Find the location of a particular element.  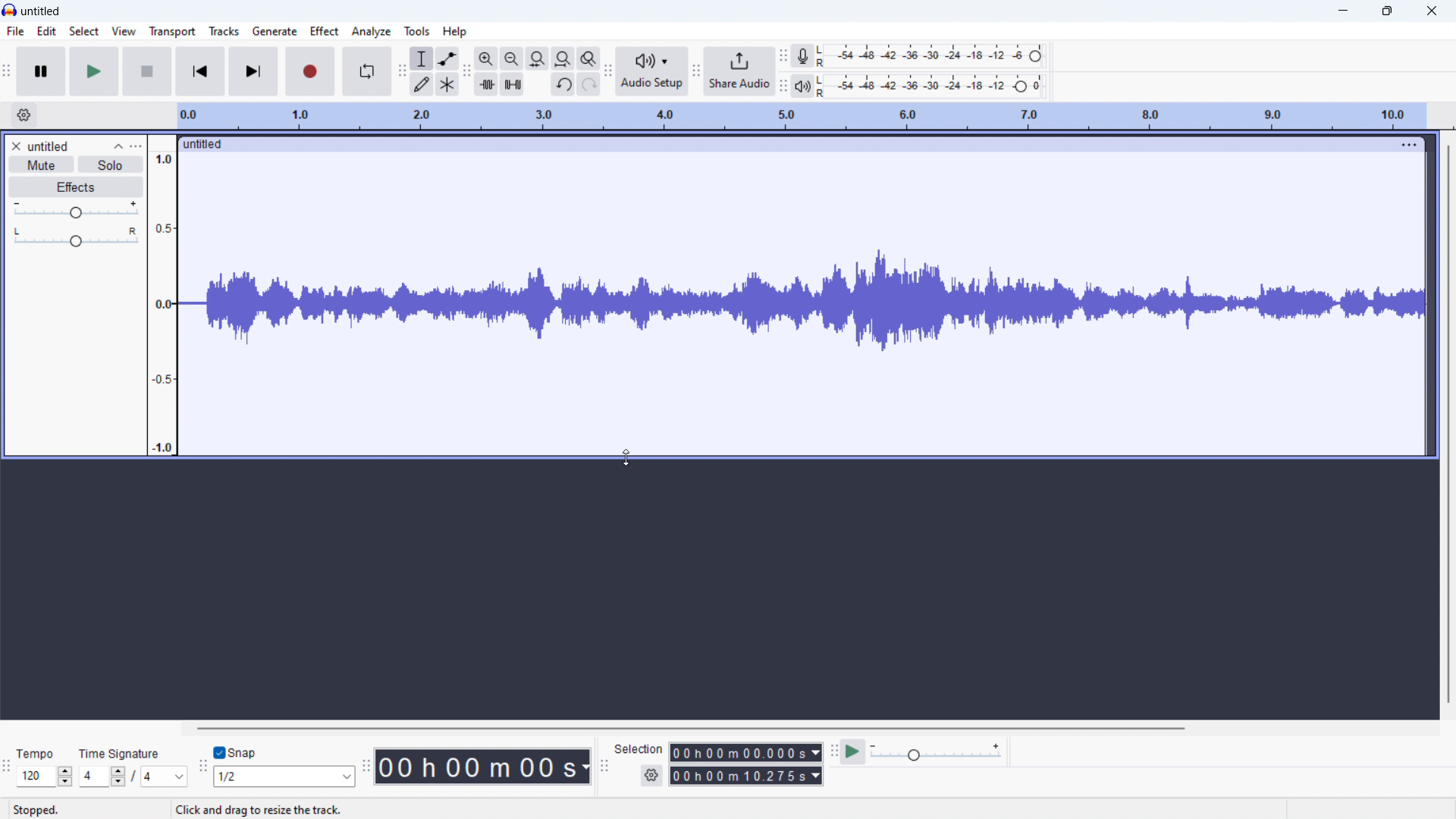

vertical scrollbar is located at coordinates (1449, 424).